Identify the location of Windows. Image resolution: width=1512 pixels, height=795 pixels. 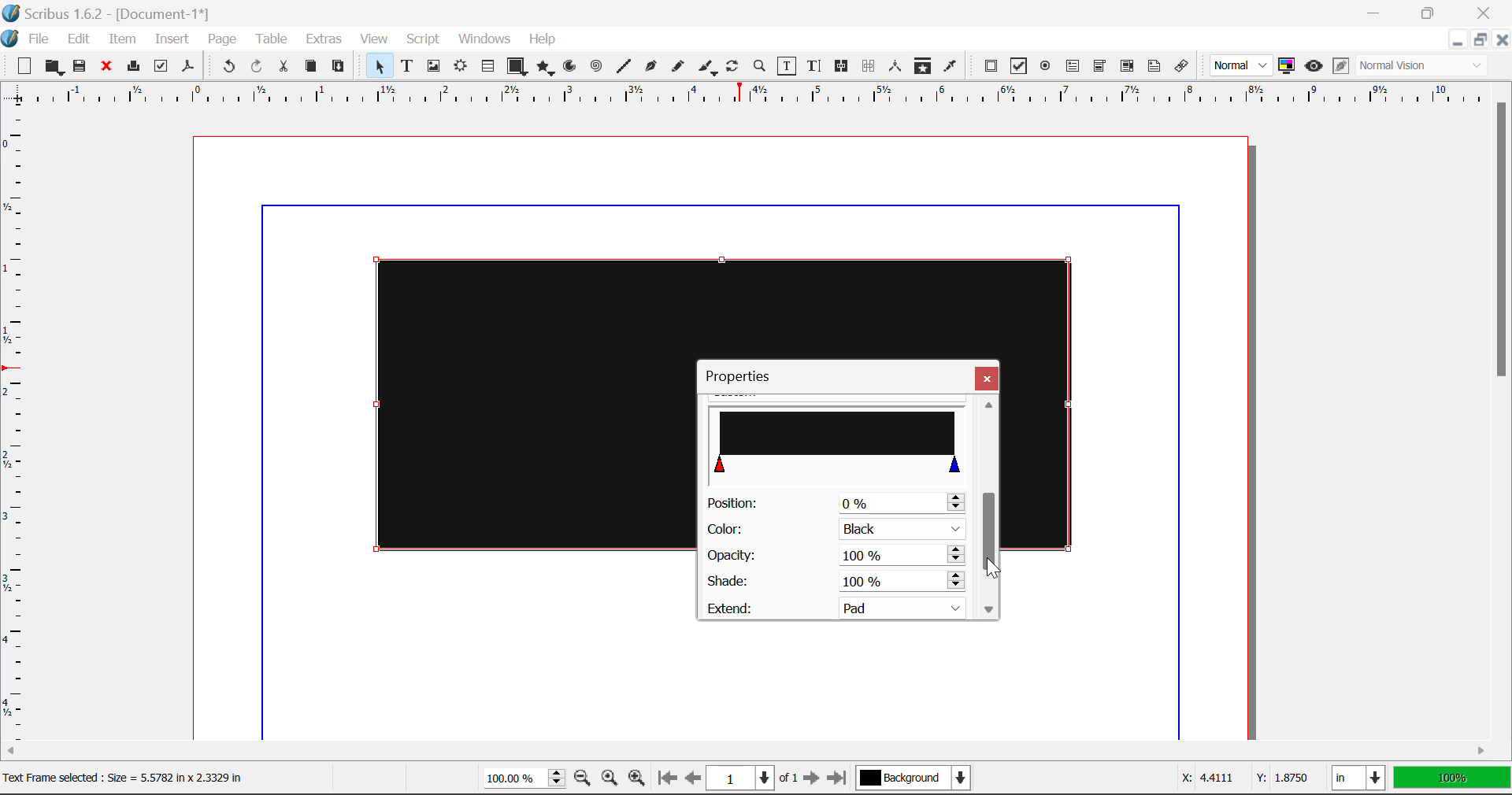
(483, 39).